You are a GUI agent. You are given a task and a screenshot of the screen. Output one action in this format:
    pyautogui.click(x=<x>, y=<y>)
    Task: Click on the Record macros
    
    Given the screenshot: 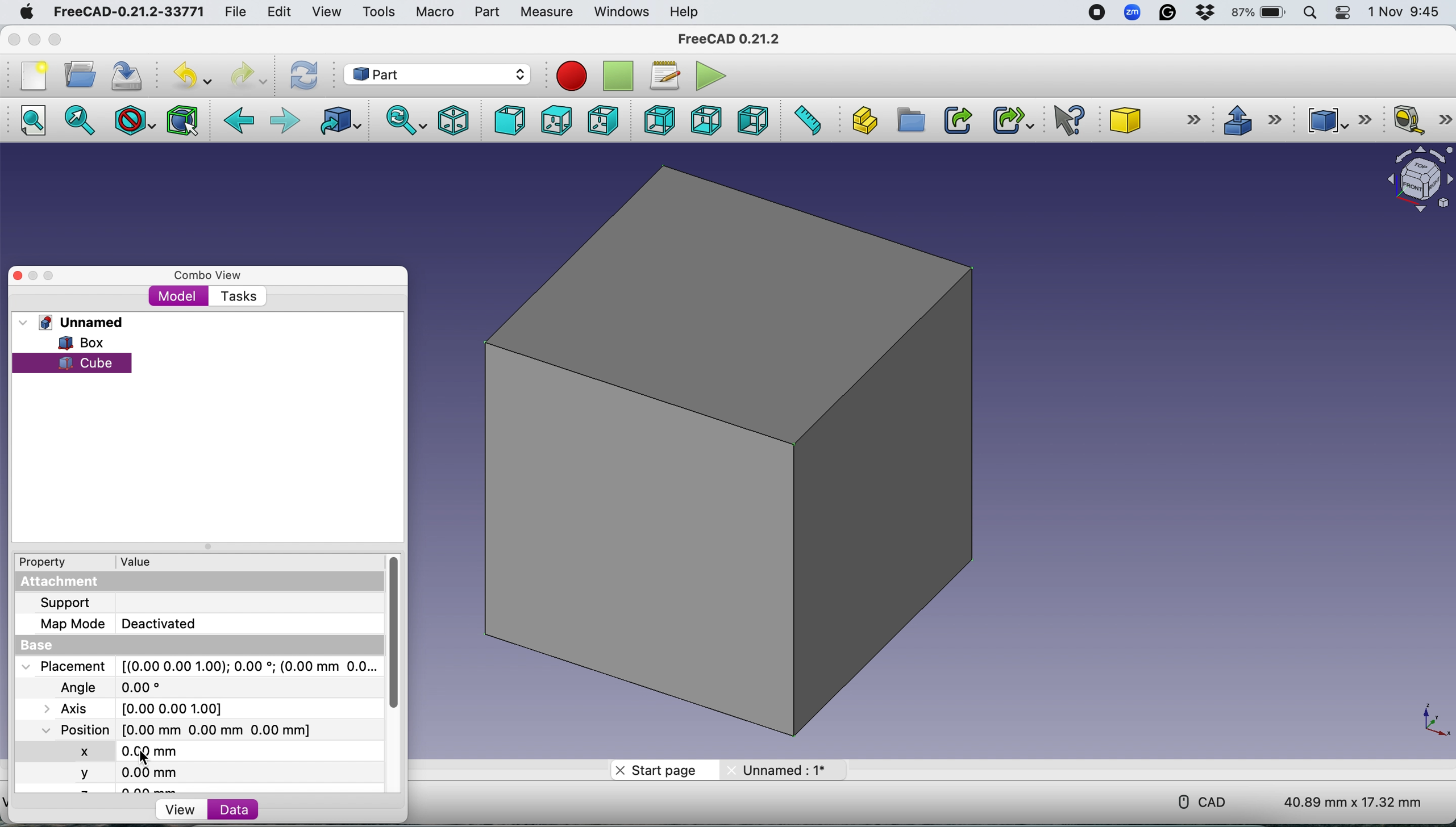 What is the action you would take?
    pyautogui.click(x=575, y=77)
    